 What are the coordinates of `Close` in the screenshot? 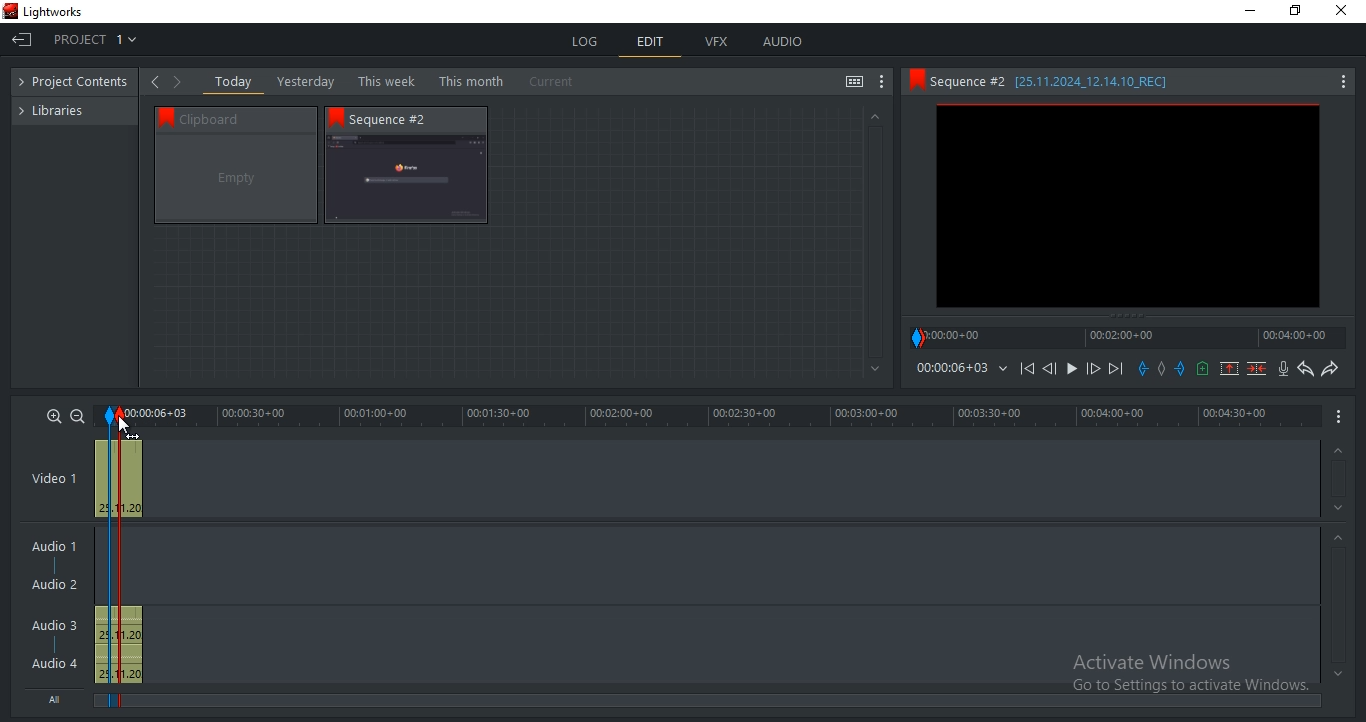 It's located at (1345, 11).